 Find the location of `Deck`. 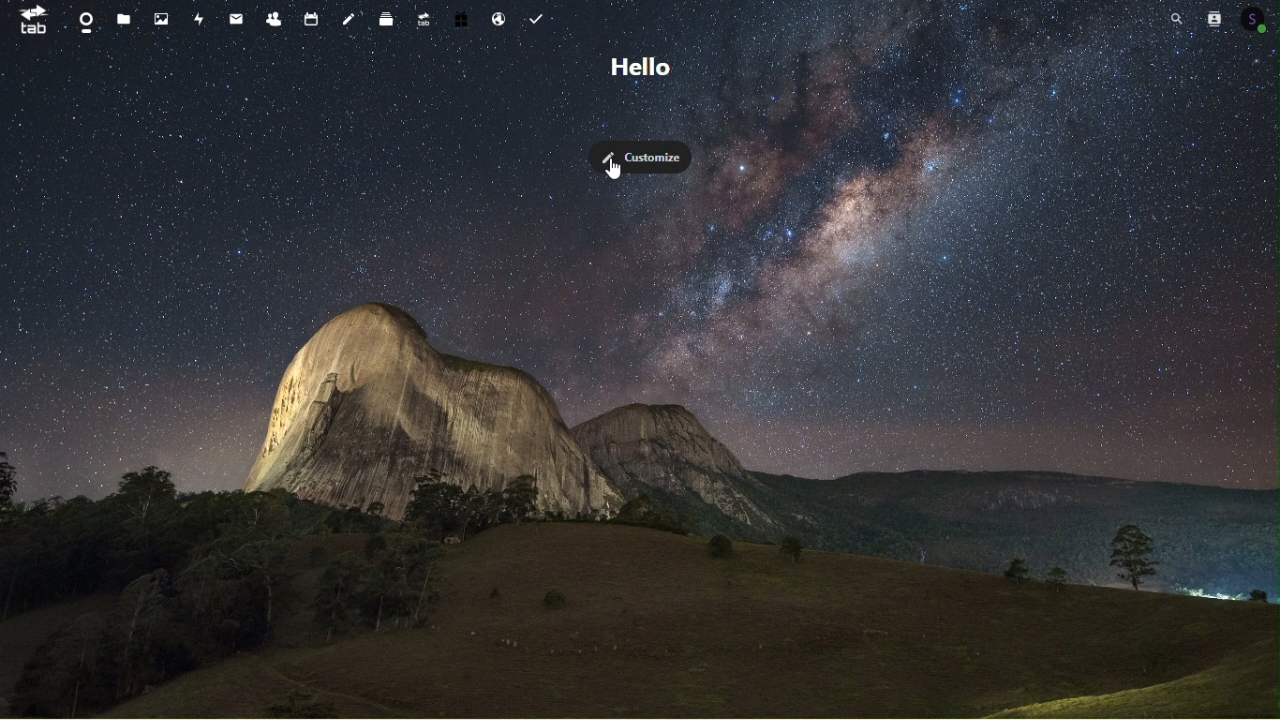

Deck is located at coordinates (389, 16).